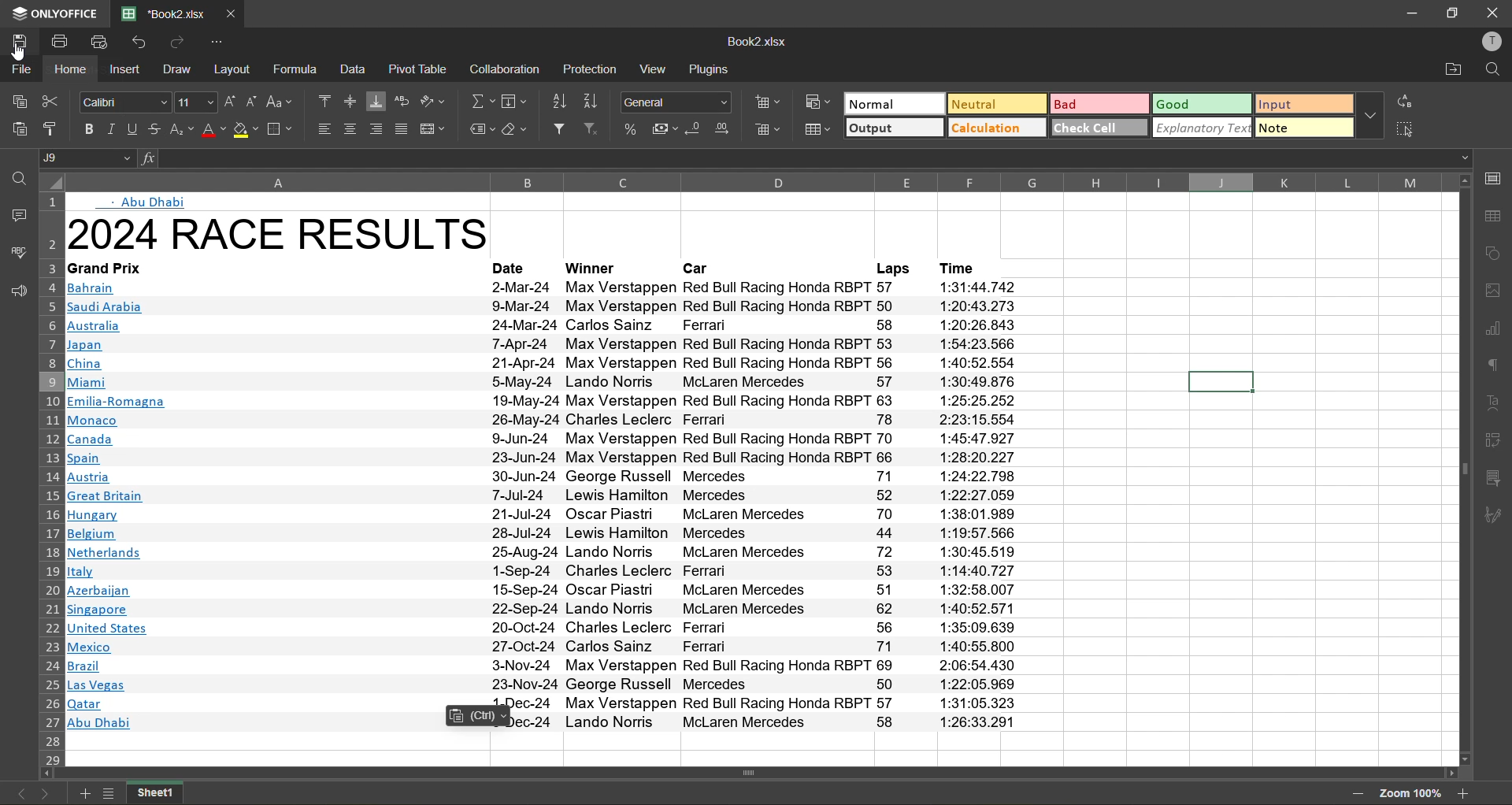  Describe the element at coordinates (679, 101) in the screenshot. I see `number format` at that location.